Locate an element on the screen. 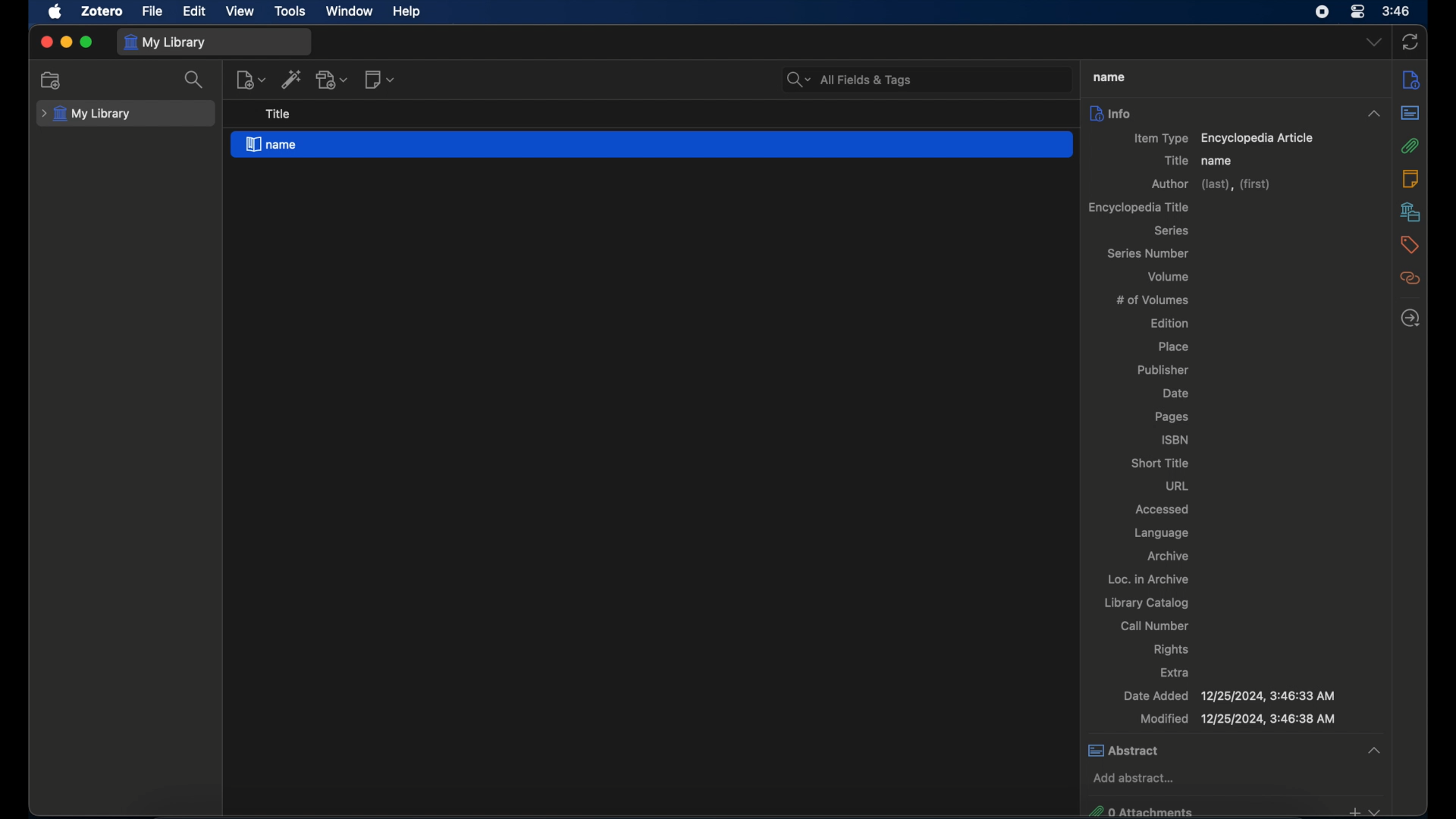 This screenshot has height=819, width=1456. call number is located at coordinates (1156, 626).